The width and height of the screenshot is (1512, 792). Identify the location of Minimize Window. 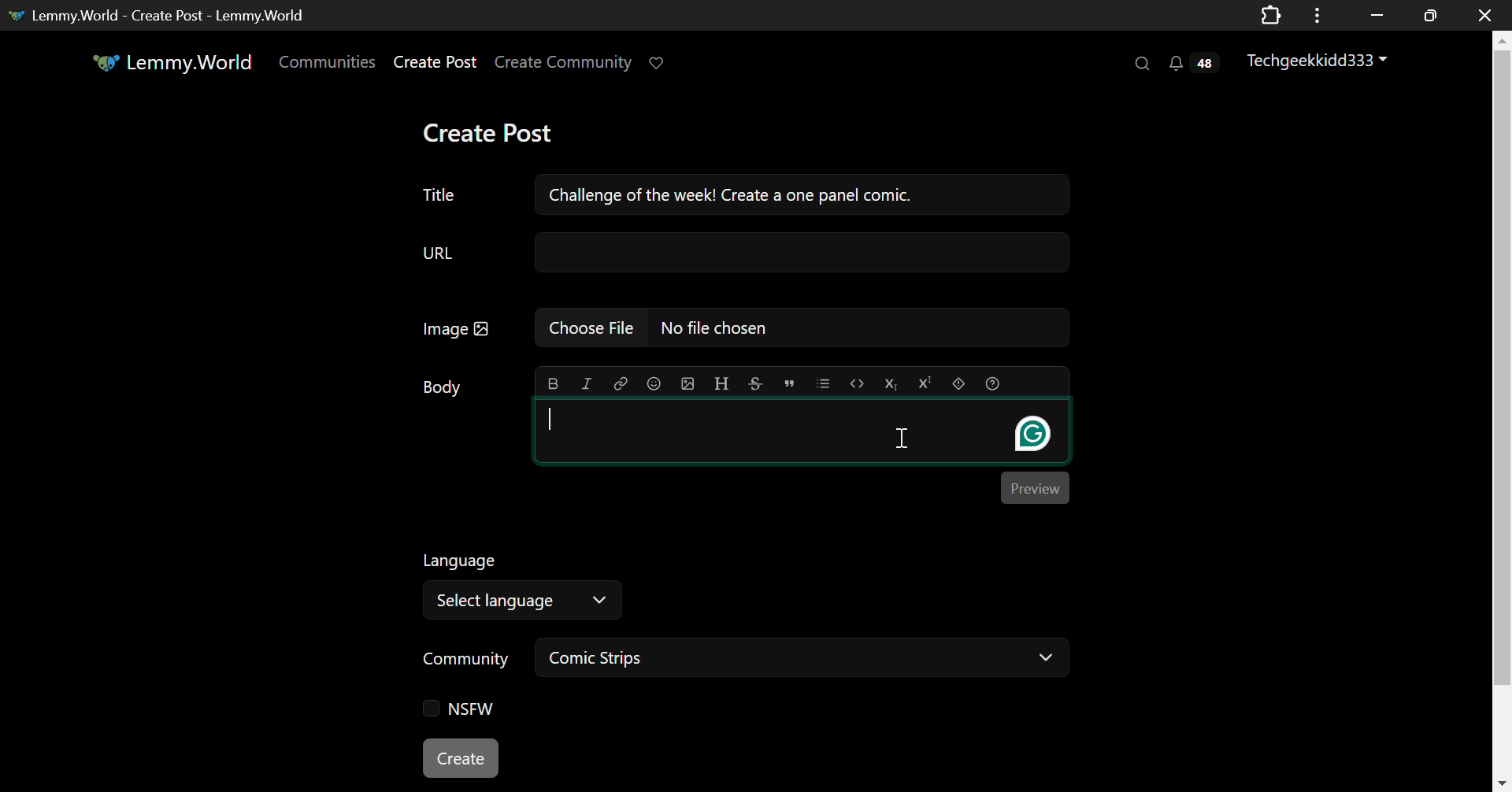
(1432, 15).